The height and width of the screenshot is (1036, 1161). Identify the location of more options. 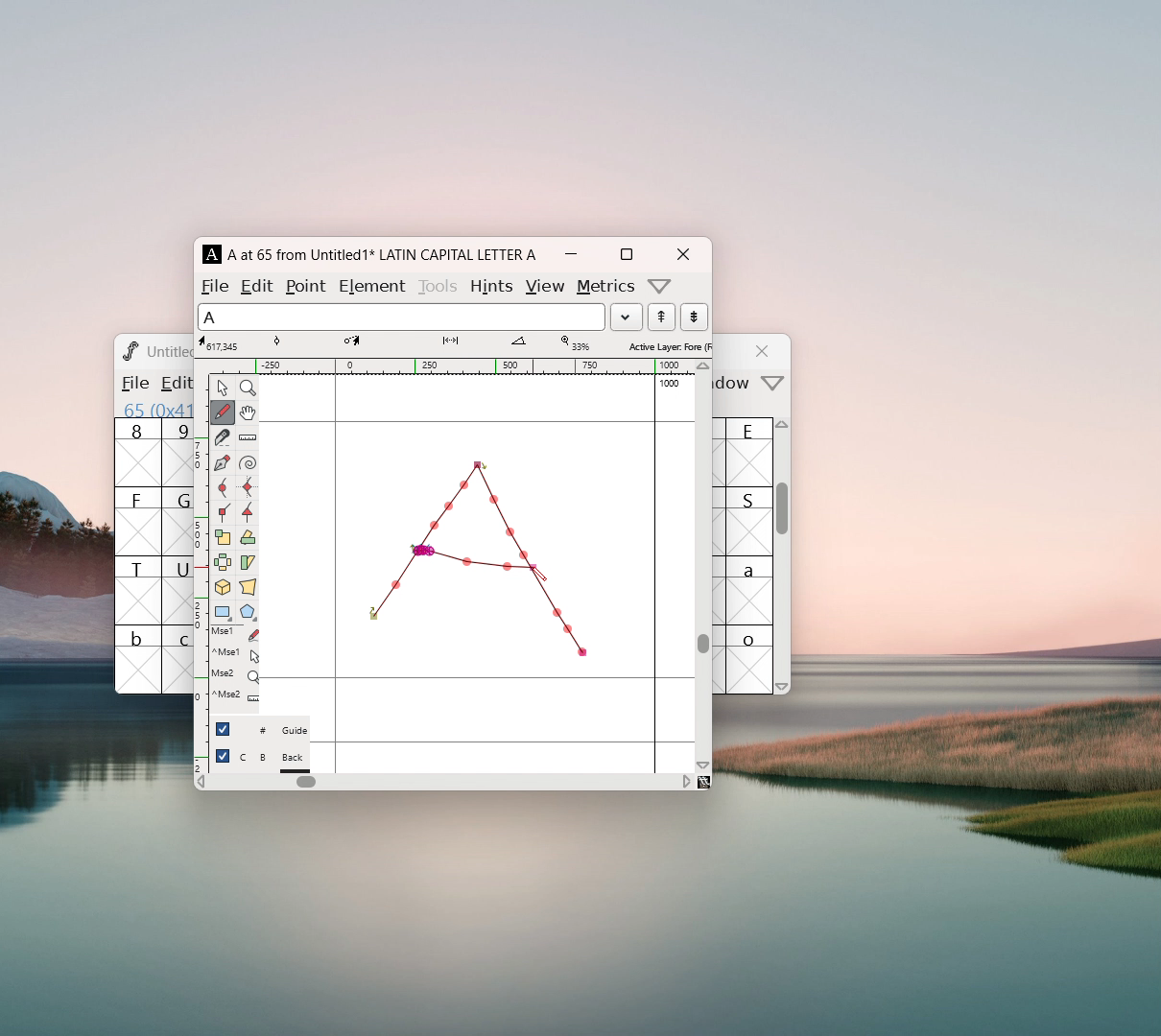
(660, 286).